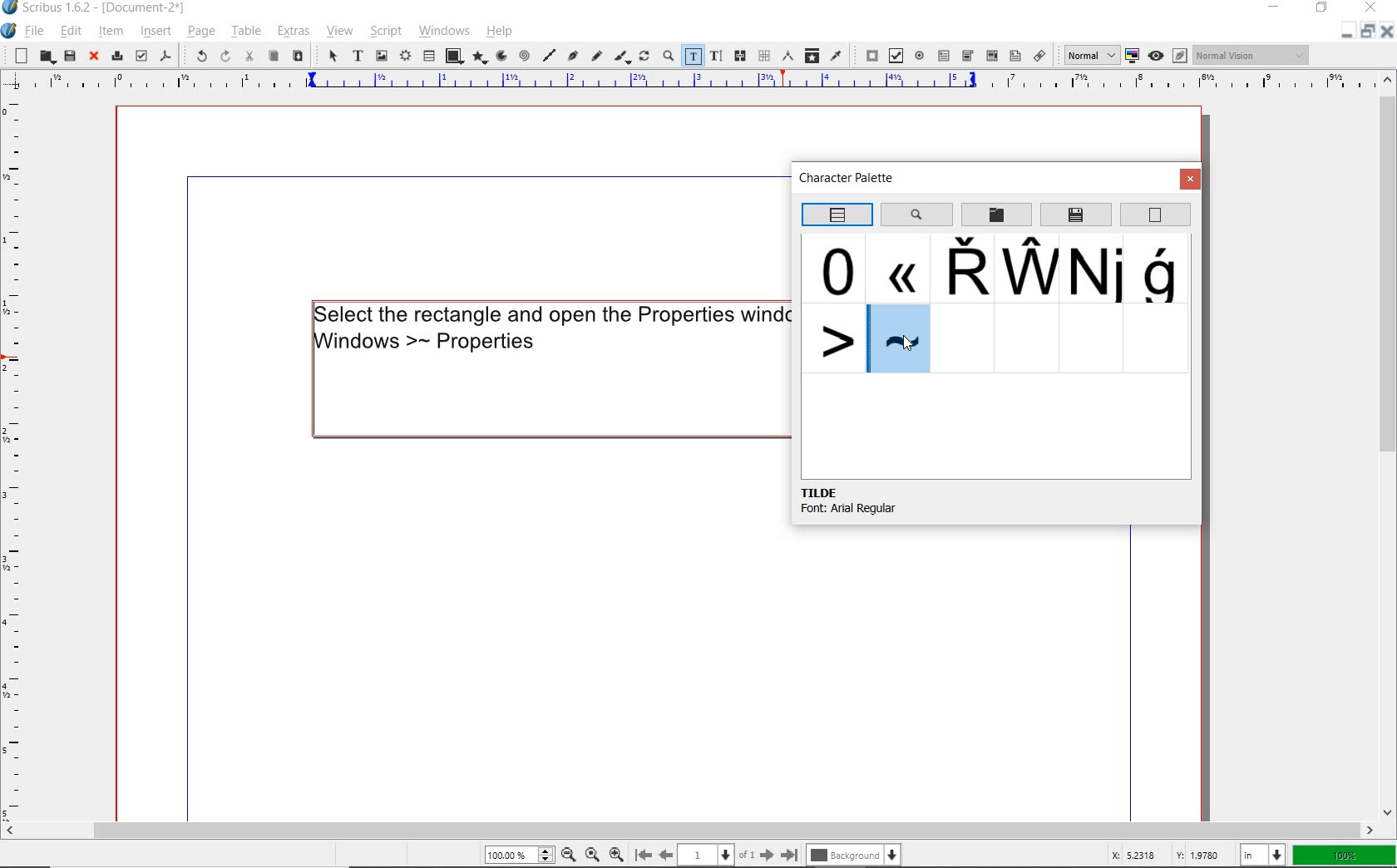  Describe the element at coordinates (1156, 215) in the screenshot. I see `empty the character palette` at that location.